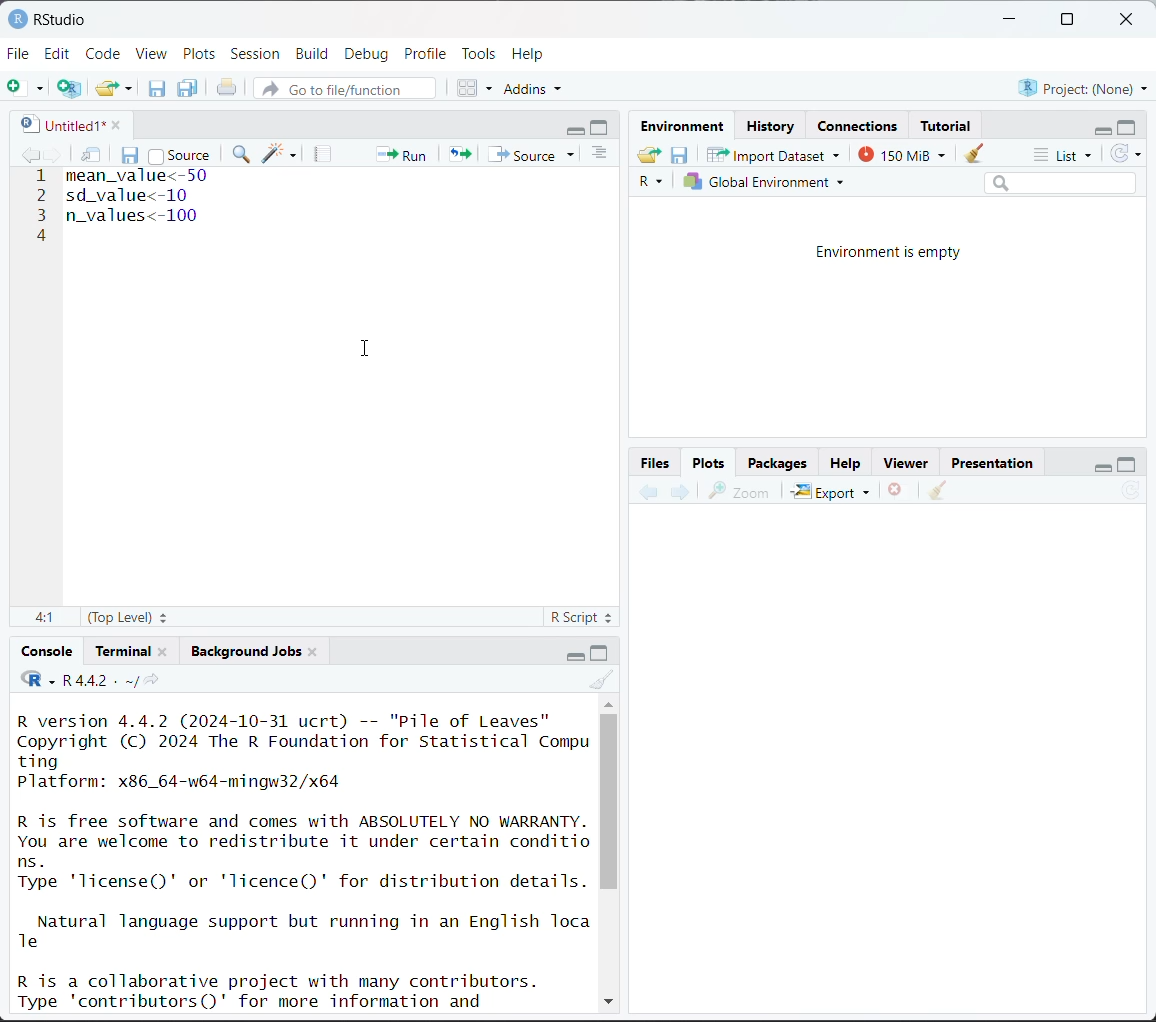 Image resolution: width=1156 pixels, height=1022 pixels. I want to click on re-run, so click(458, 153).